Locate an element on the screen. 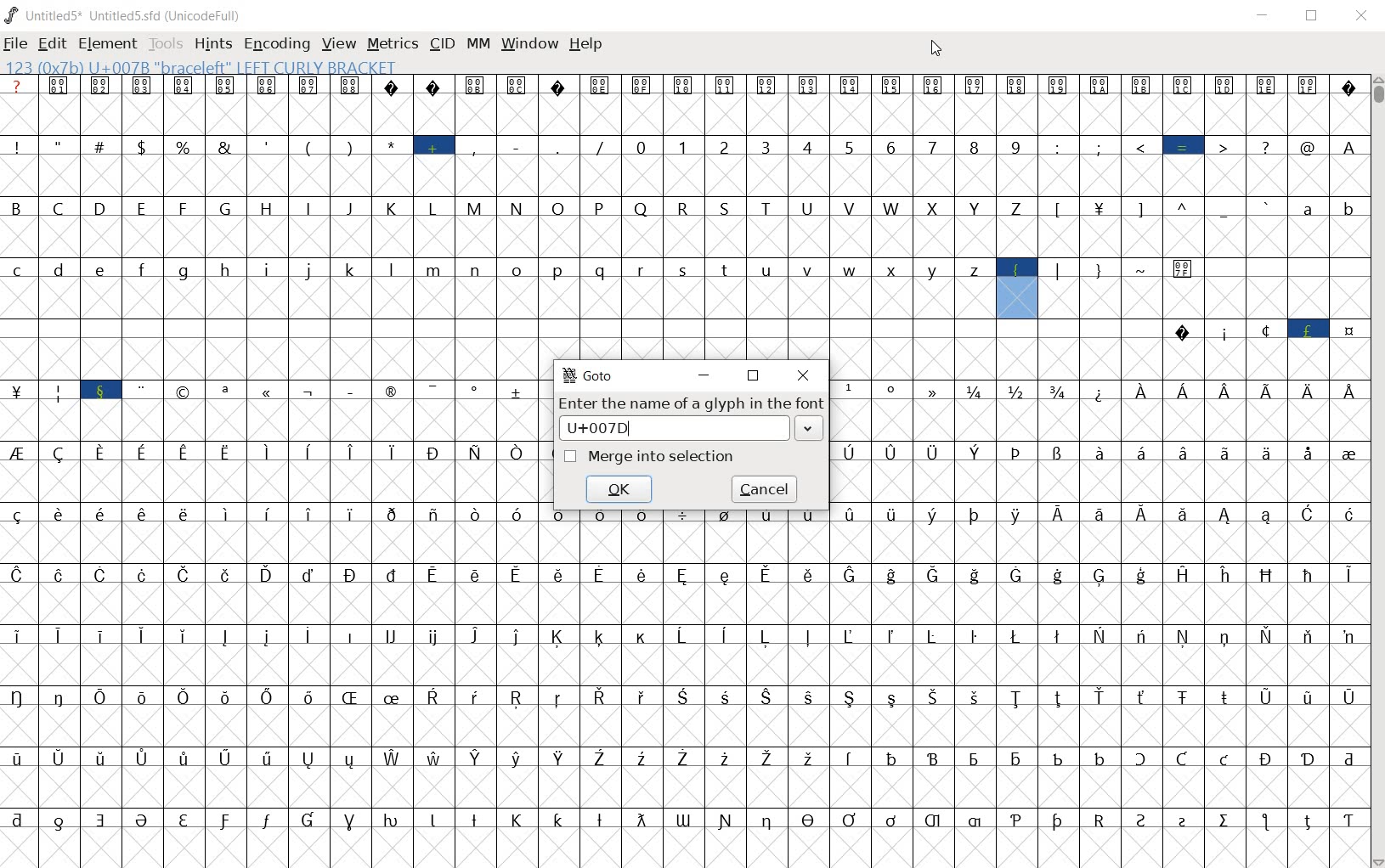 The image size is (1385, 868). MM is located at coordinates (478, 45).